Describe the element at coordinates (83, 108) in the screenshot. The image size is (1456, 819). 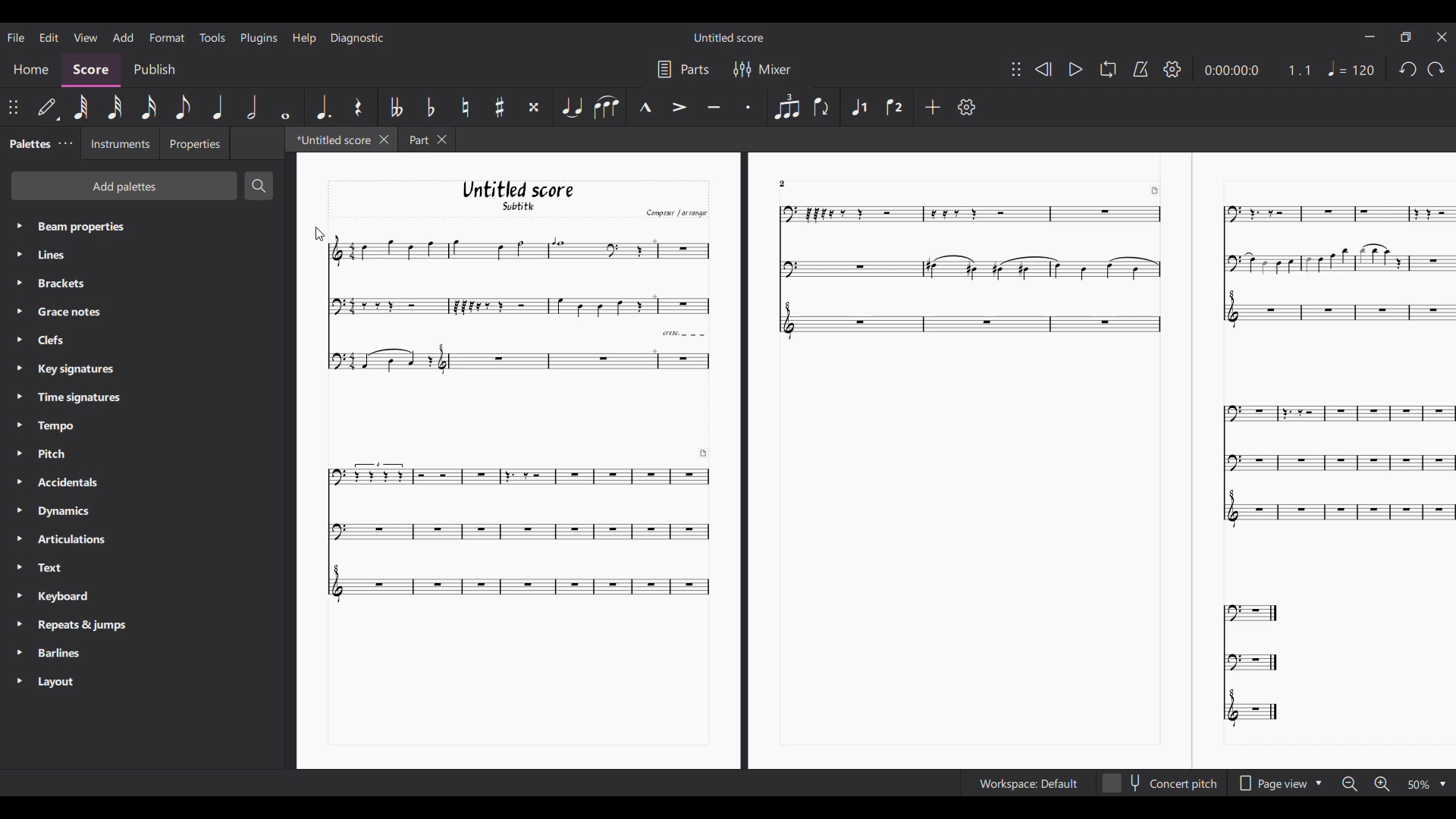
I see `64th note` at that location.